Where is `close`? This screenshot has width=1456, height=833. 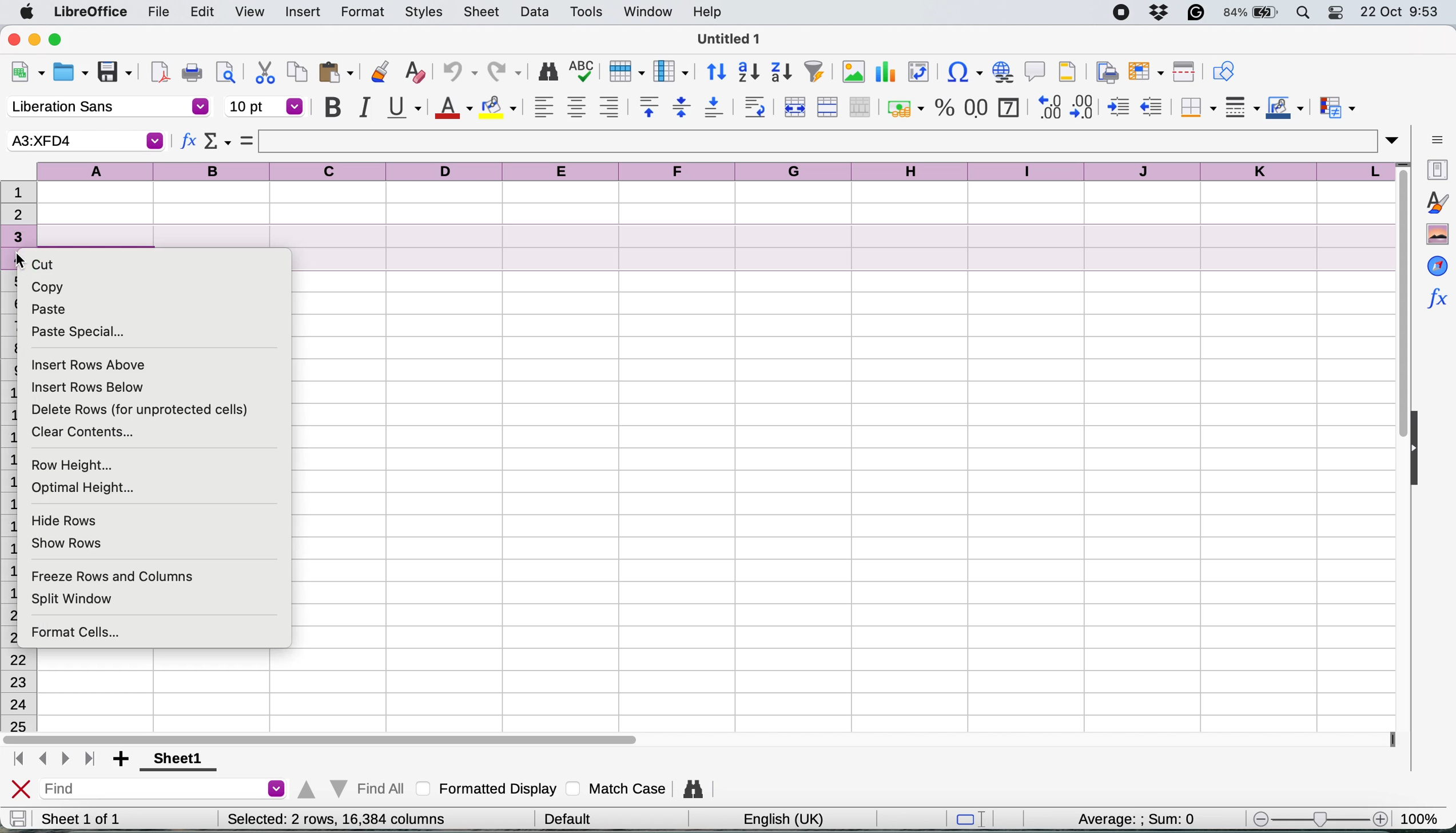 close is located at coordinates (21, 790).